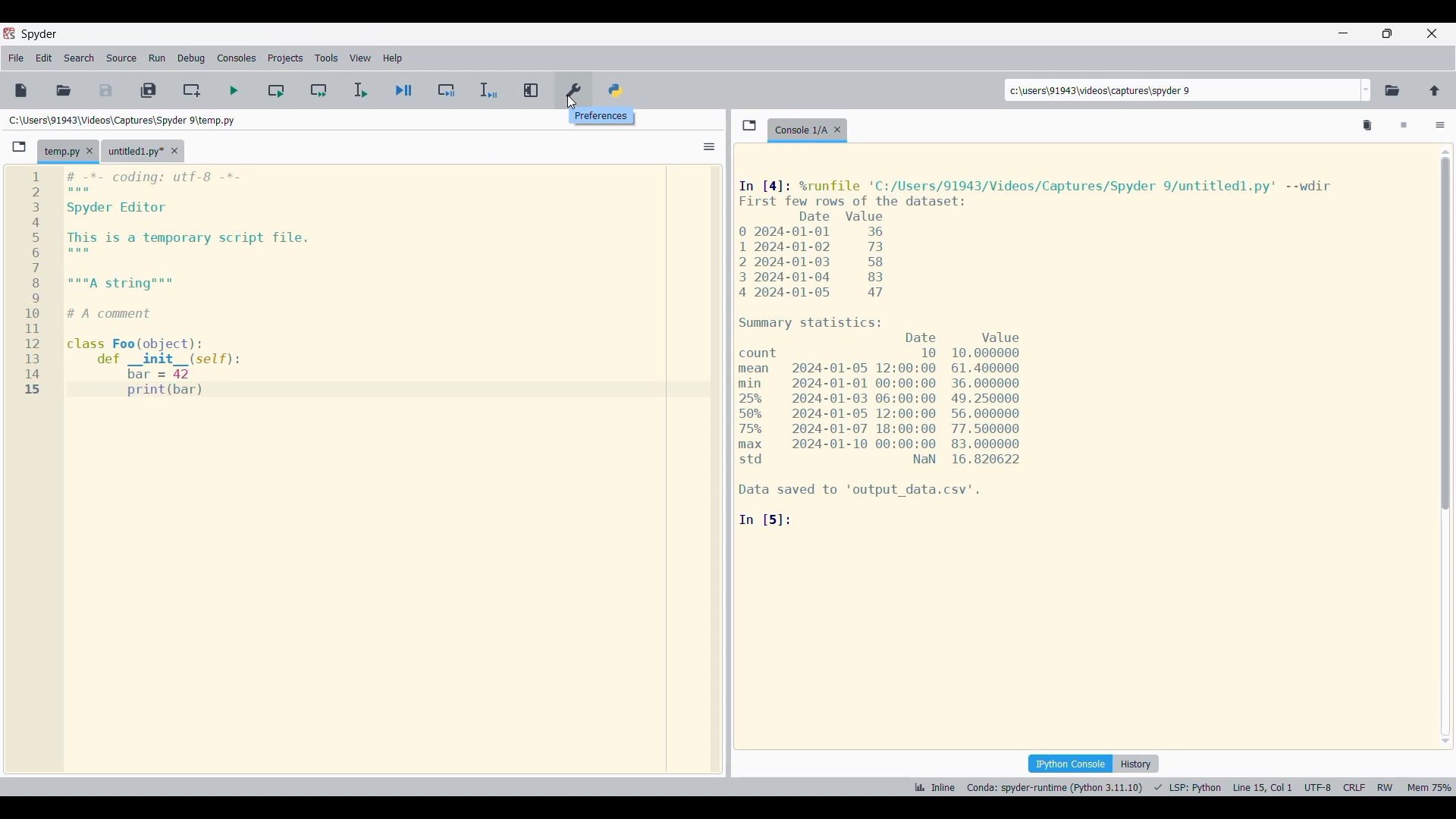  I want to click on Source menu, so click(121, 58).